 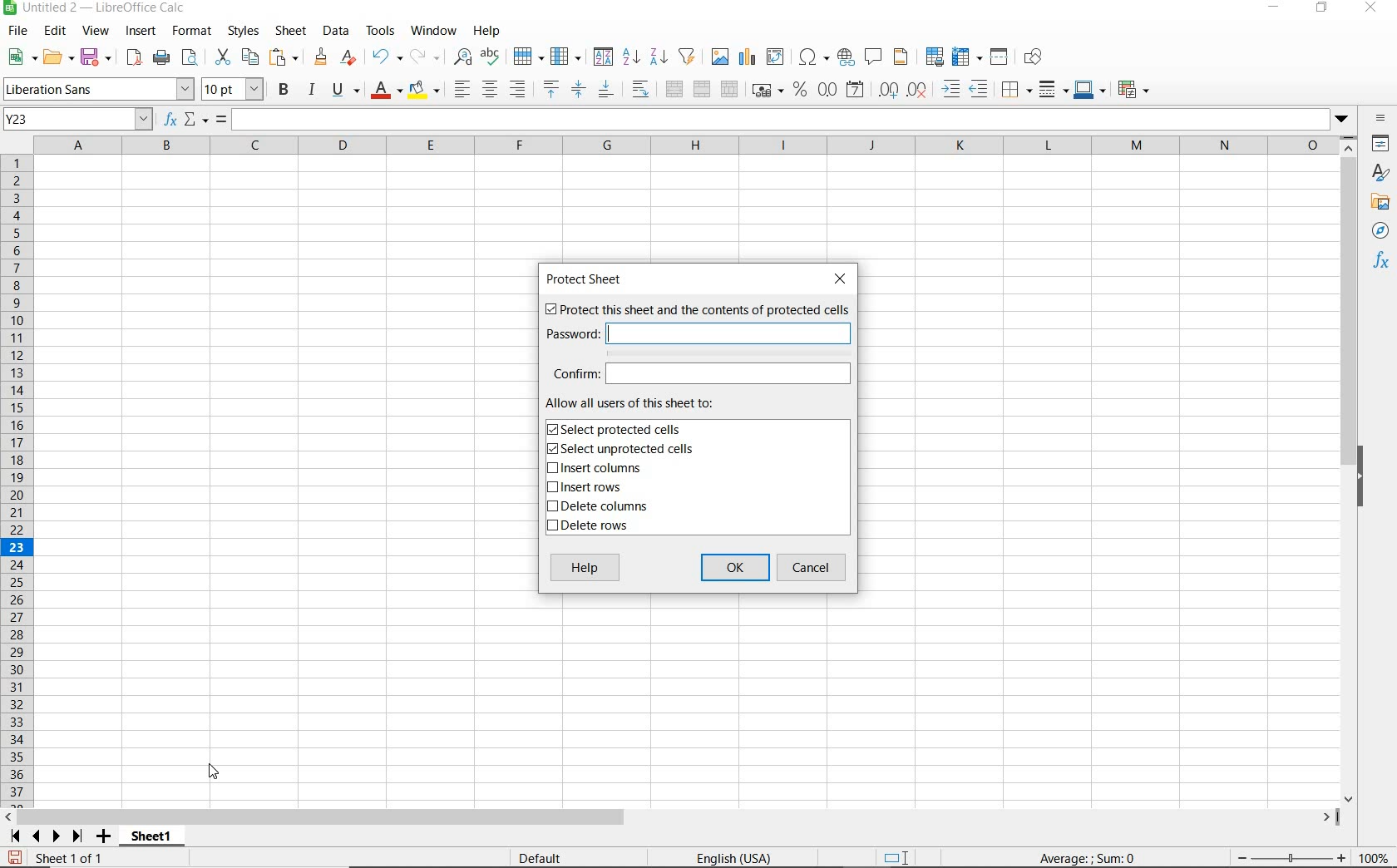 I want to click on FORMAT AS CURRENCY, so click(x=766, y=92).